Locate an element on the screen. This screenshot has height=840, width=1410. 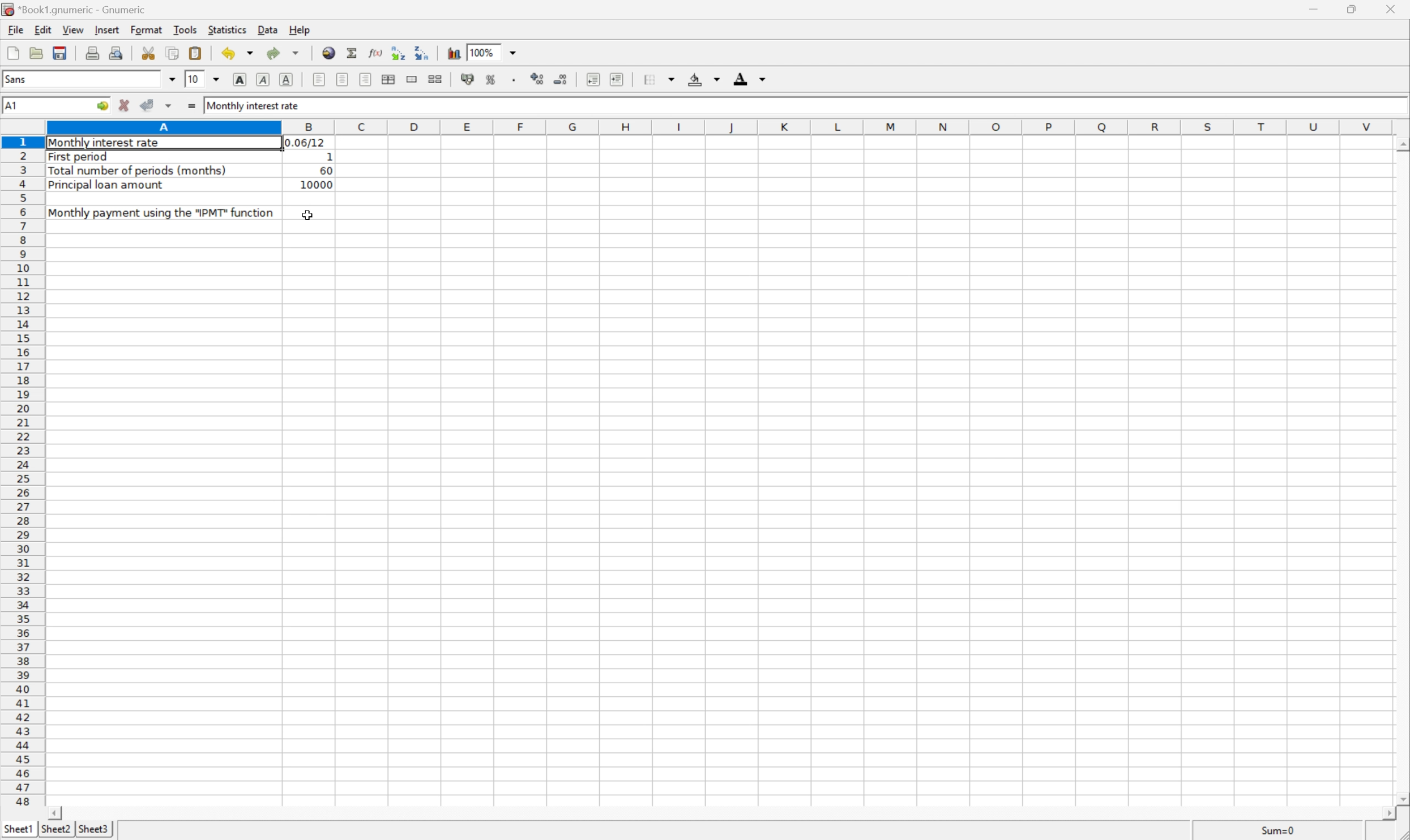
1 is located at coordinates (329, 156).